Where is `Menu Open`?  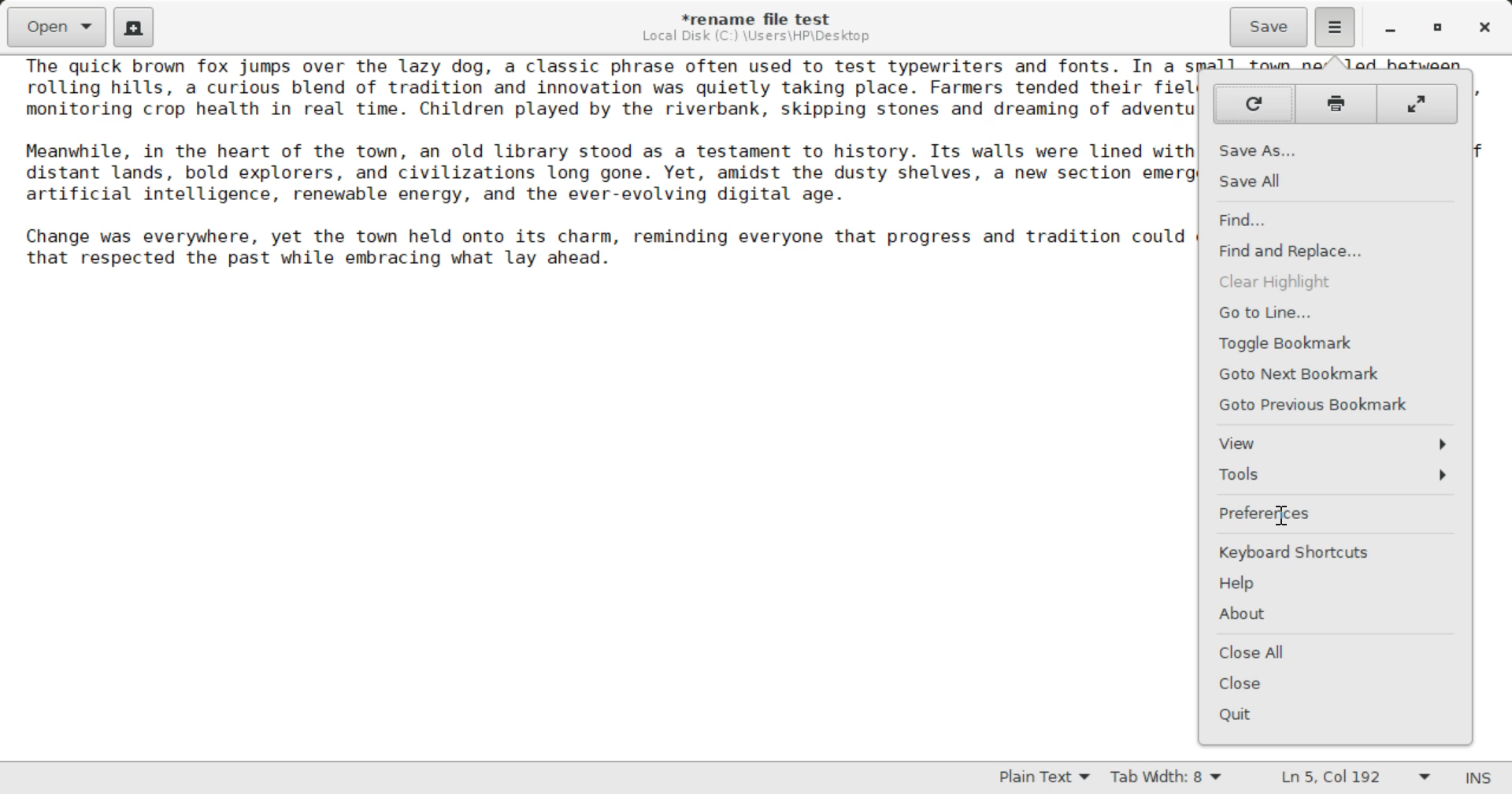 Menu Open is located at coordinates (1334, 25).